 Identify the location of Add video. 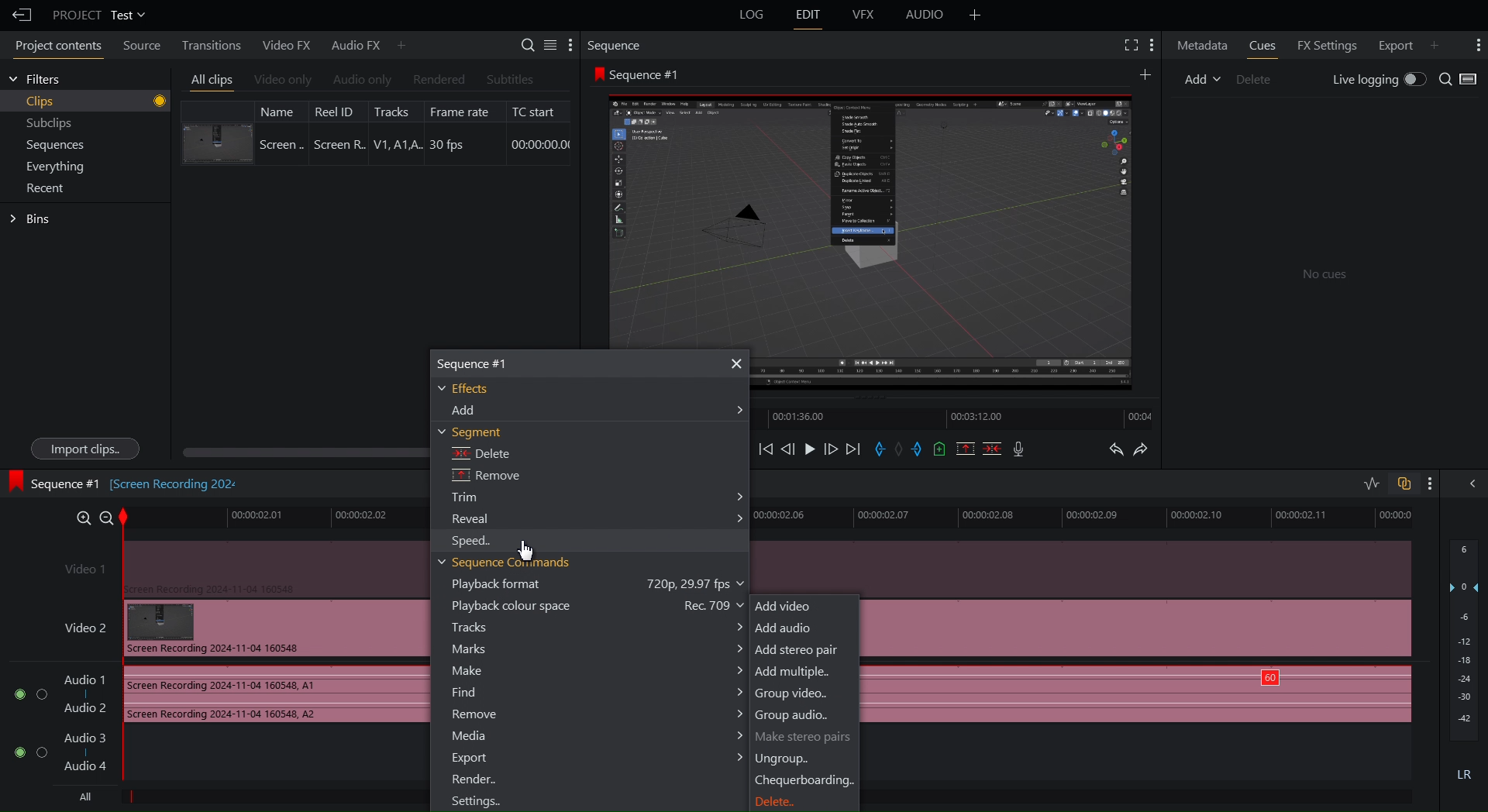
(786, 607).